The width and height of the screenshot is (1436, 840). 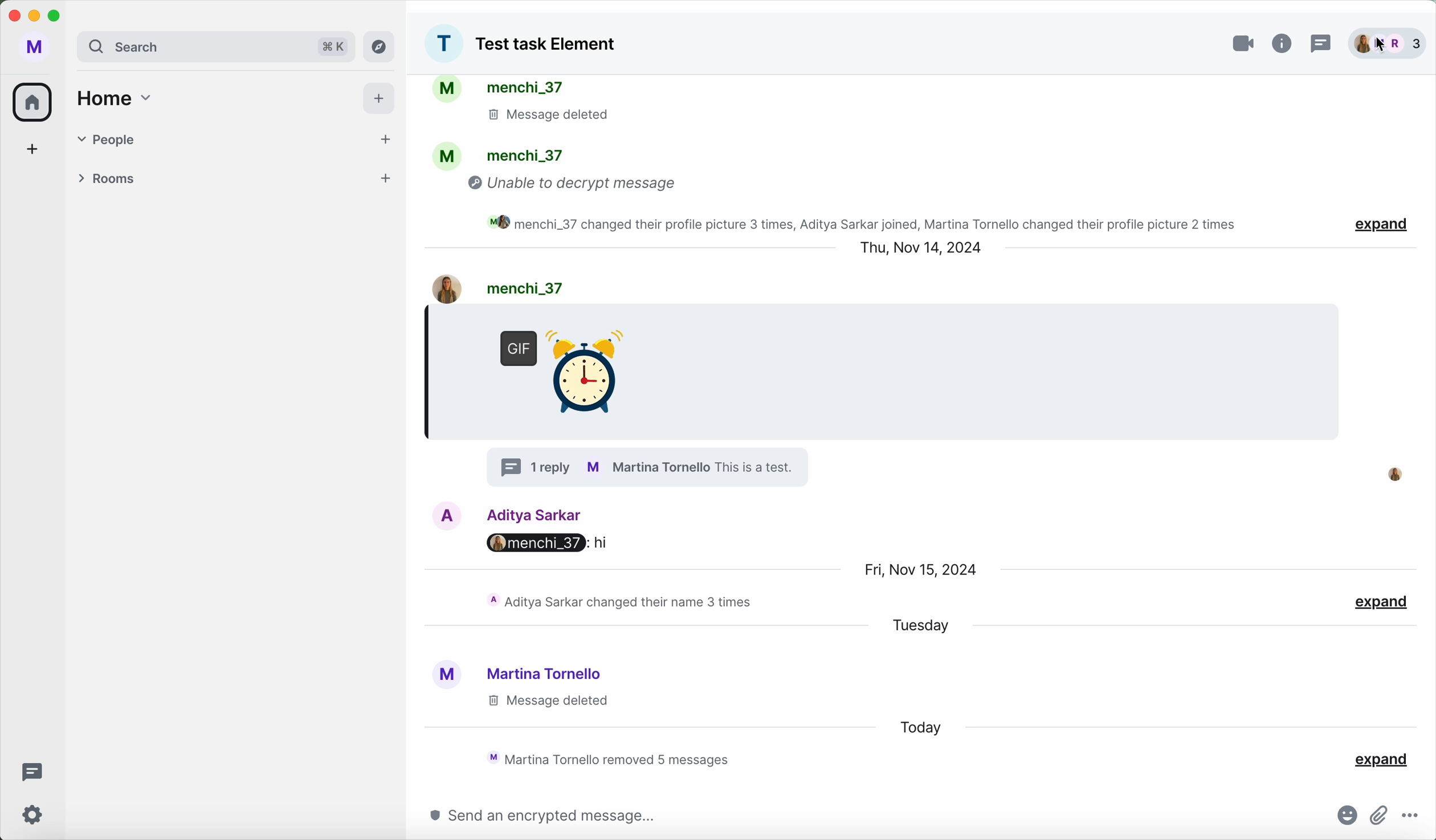 I want to click on maximize, so click(x=58, y=16).